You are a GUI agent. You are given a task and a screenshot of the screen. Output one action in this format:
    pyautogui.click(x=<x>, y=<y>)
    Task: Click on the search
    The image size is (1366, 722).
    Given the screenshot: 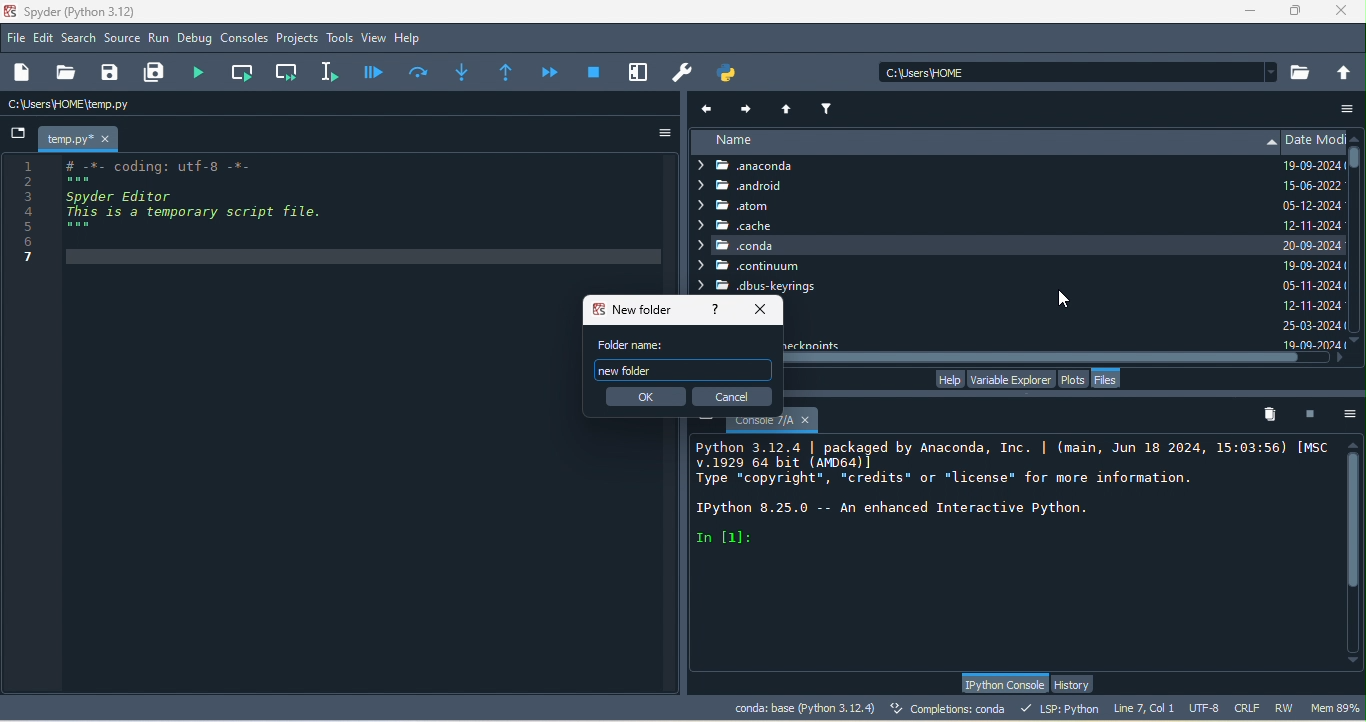 What is the action you would take?
    pyautogui.click(x=80, y=38)
    